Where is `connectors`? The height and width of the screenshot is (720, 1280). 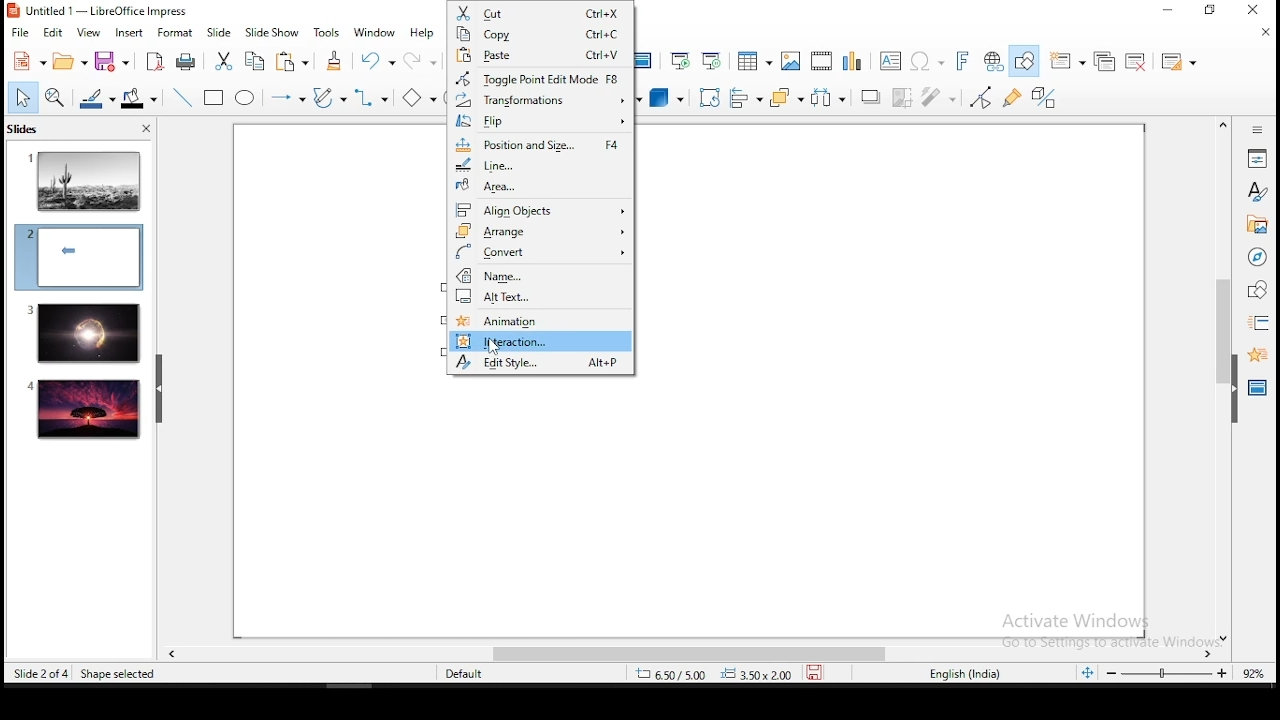 connectors is located at coordinates (367, 98).